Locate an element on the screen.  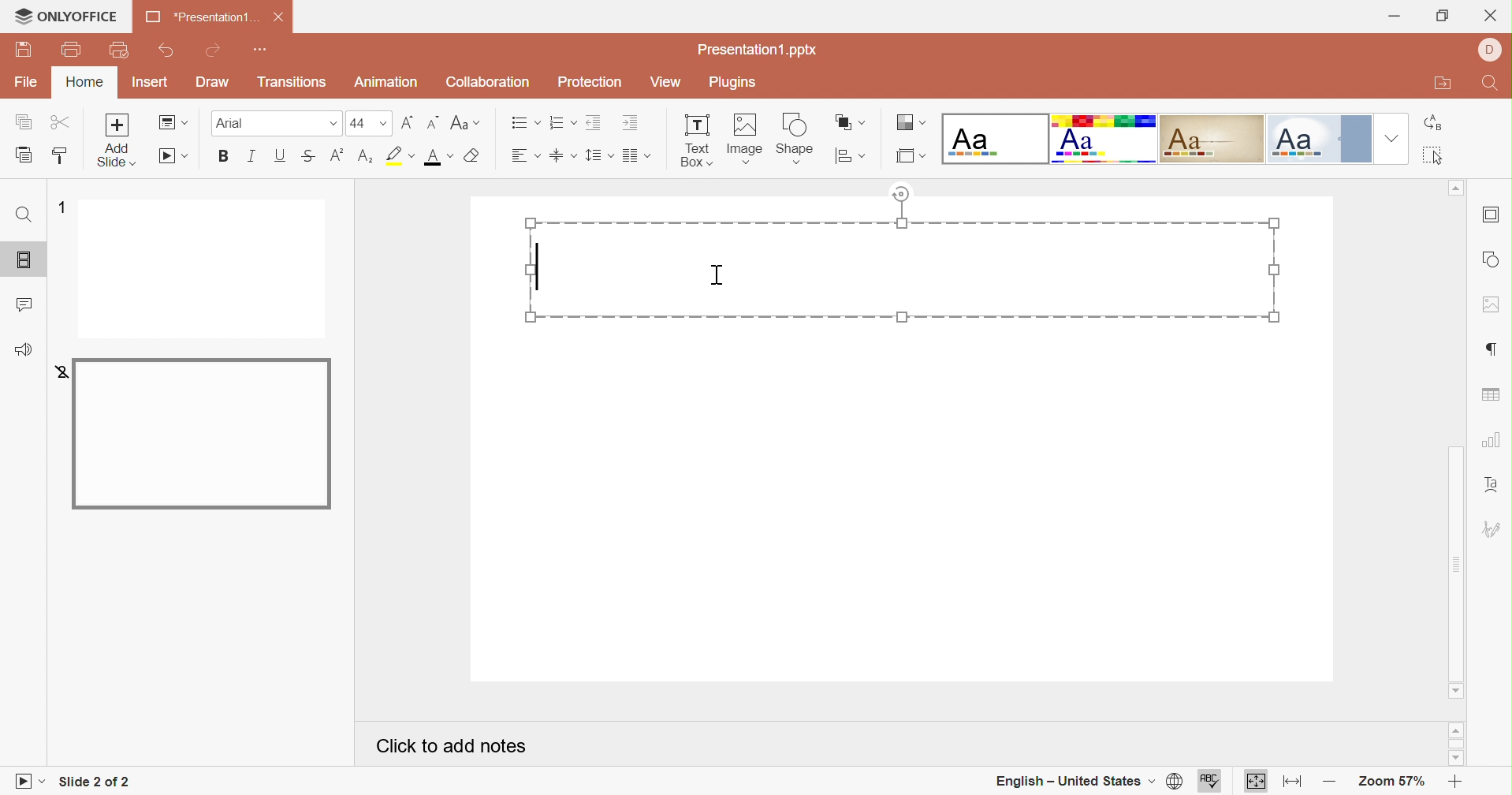
Plugins is located at coordinates (733, 83).